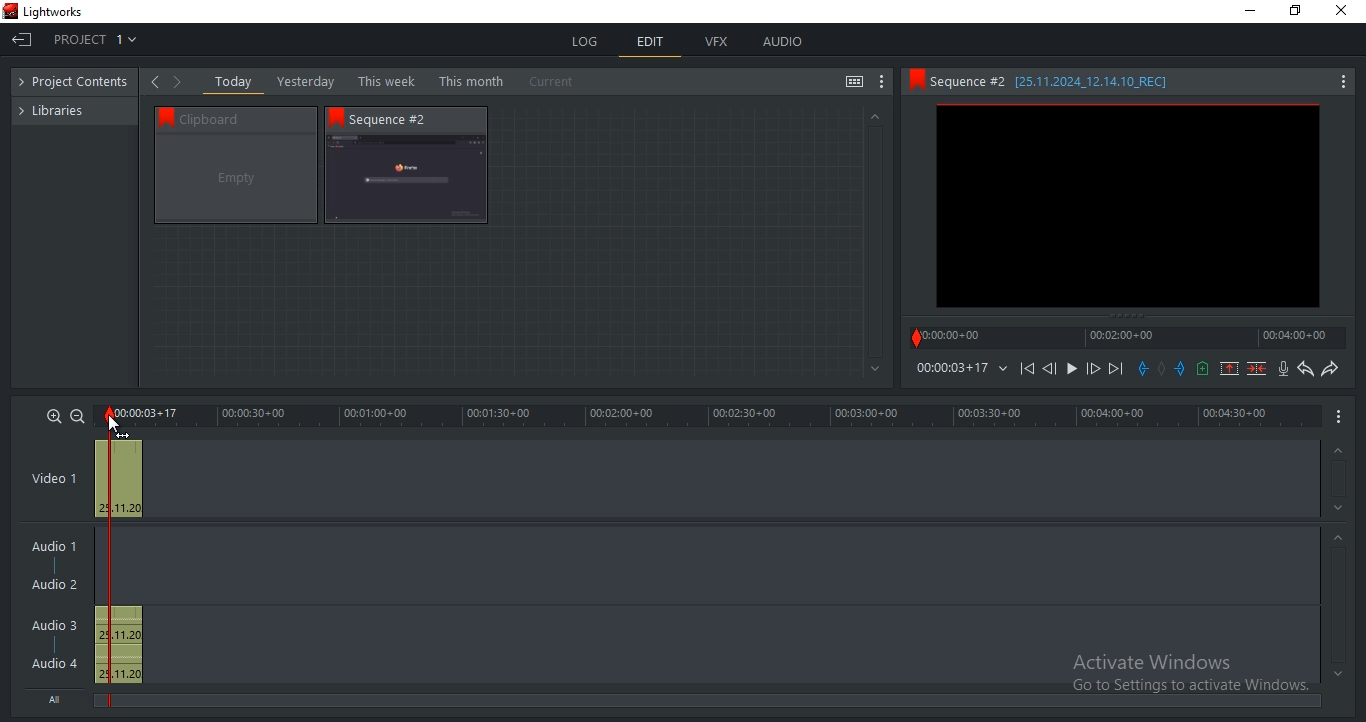 The width and height of the screenshot is (1366, 722). What do you see at coordinates (1341, 511) in the screenshot?
I see `Greyed out down arrow` at bounding box center [1341, 511].